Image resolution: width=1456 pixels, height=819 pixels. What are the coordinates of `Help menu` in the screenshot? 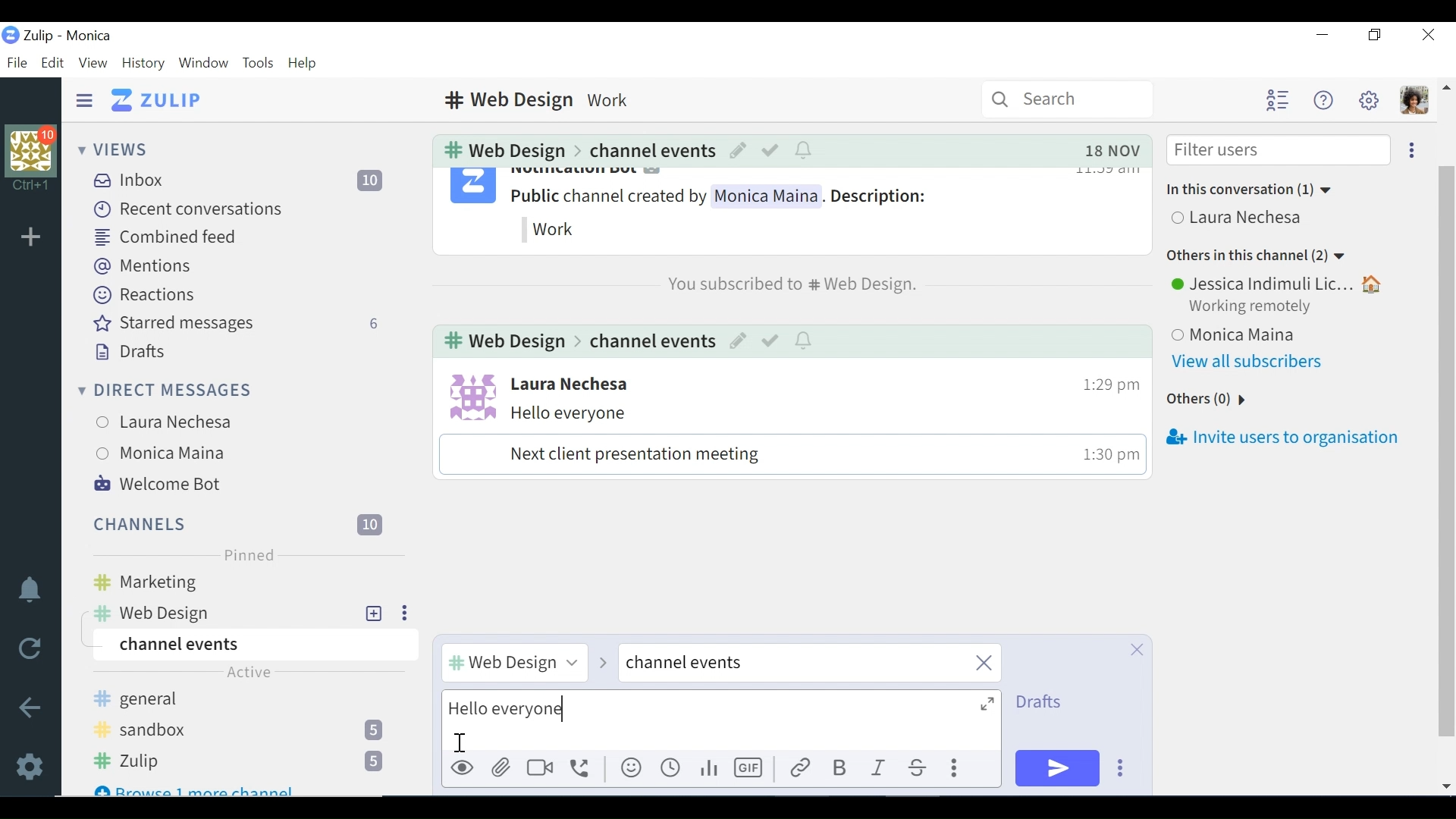 It's located at (1322, 100).